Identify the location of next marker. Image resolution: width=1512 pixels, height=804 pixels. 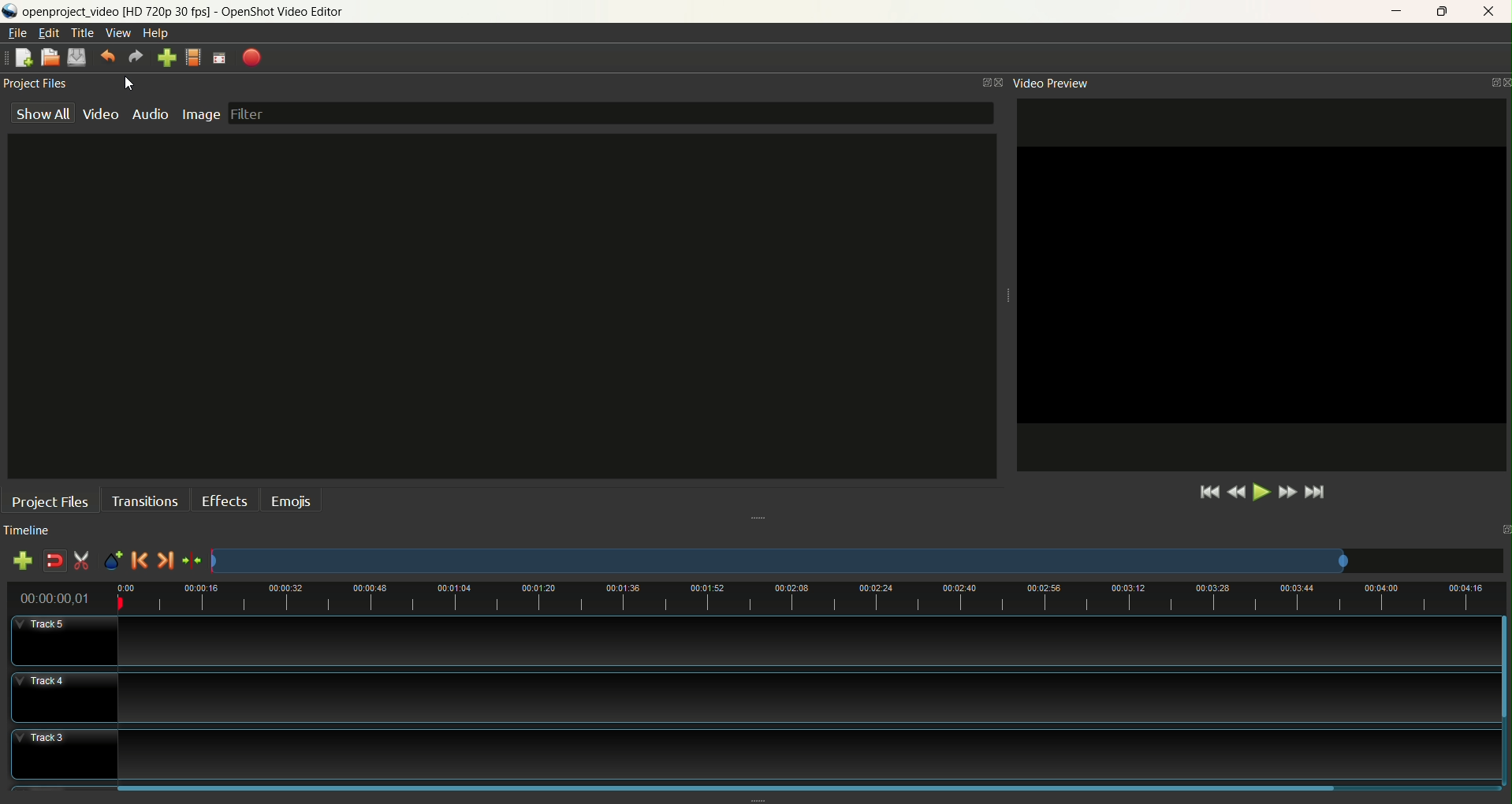
(168, 560).